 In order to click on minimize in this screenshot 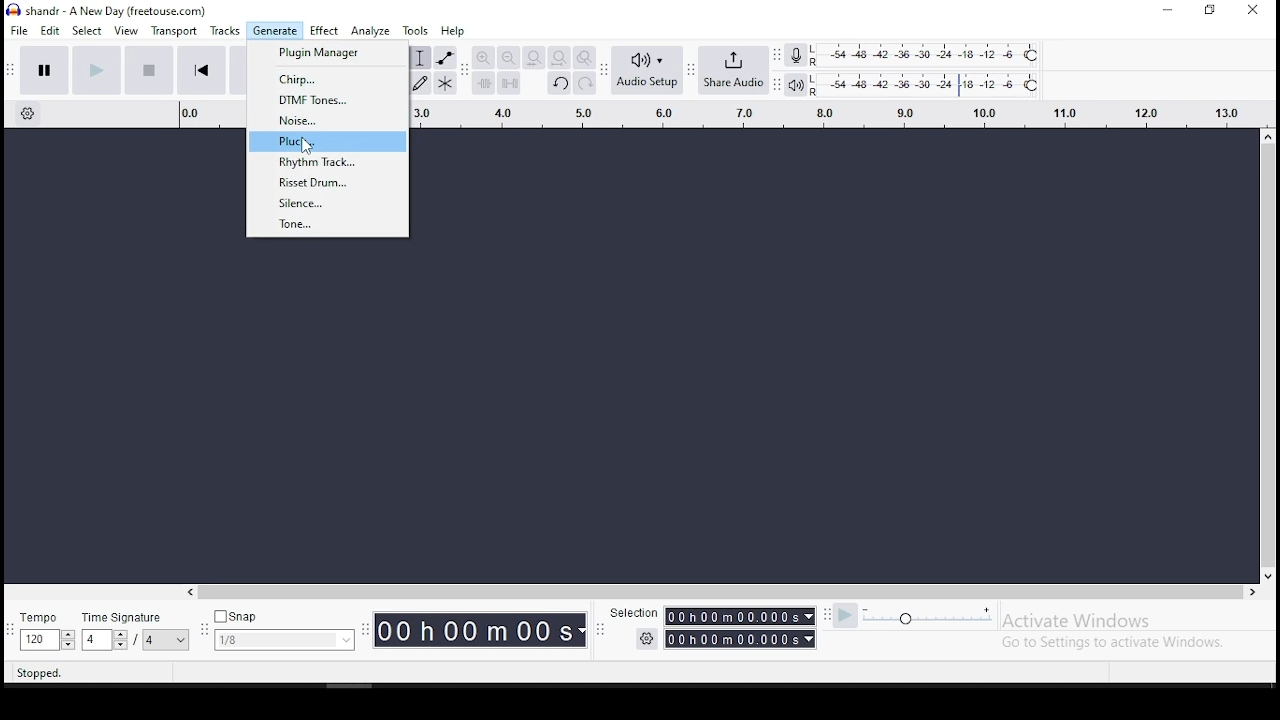, I will do `click(1167, 11)`.